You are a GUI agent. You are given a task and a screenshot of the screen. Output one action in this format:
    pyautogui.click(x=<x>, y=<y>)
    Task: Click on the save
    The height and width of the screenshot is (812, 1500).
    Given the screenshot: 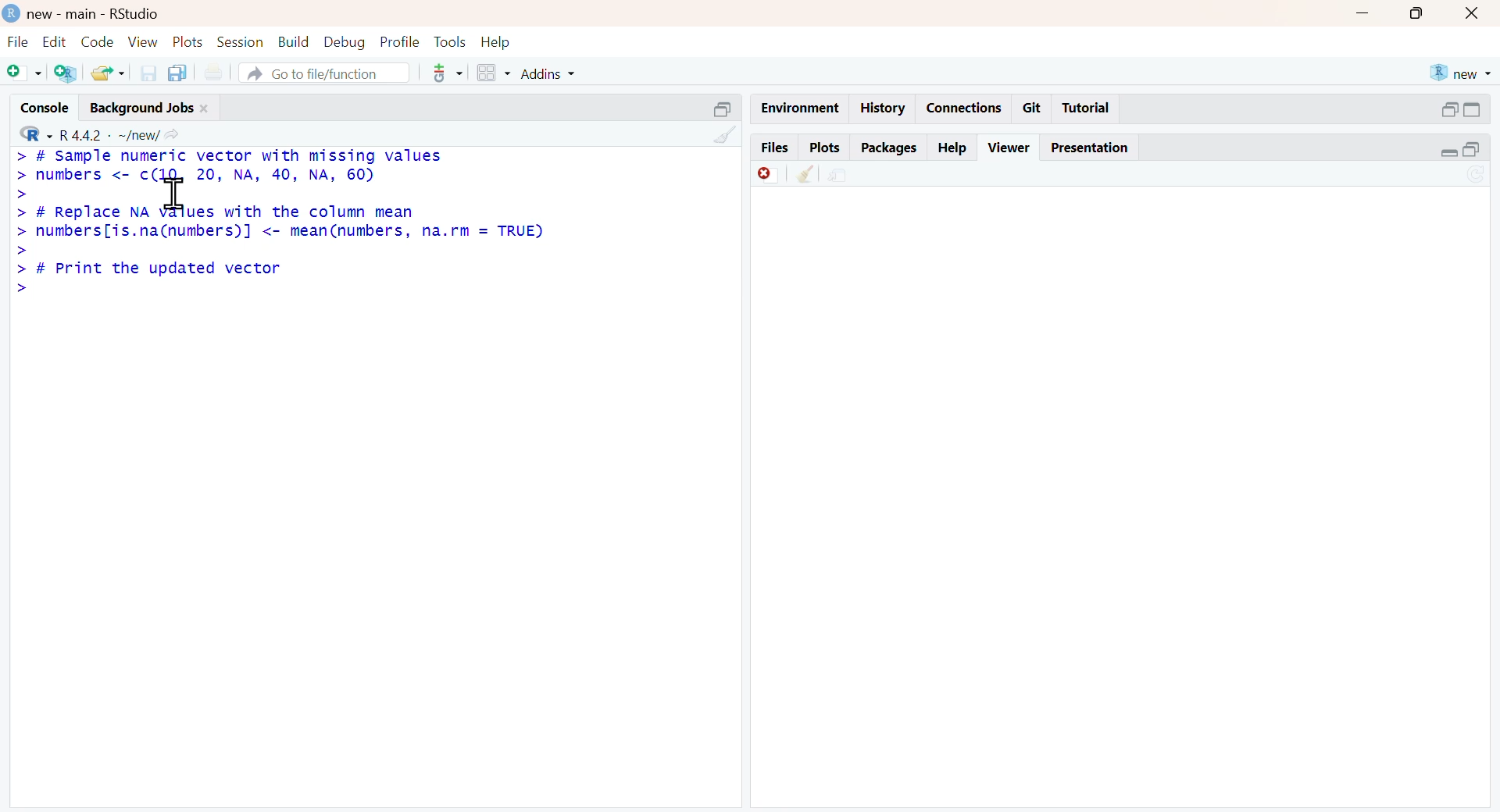 What is the action you would take?
    pyautogui.click(x=150, y=73)
    